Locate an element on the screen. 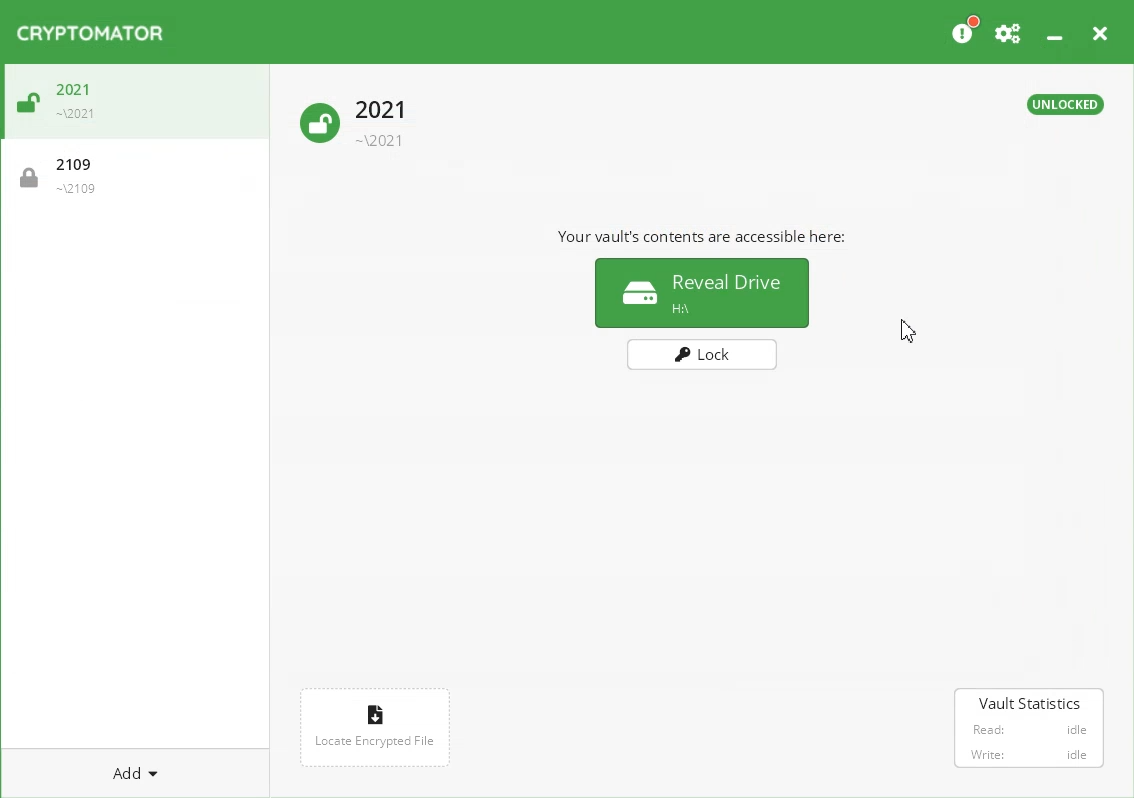 This screenshot has width=1134, height=798. Close is located at coordinates (1099, 33).